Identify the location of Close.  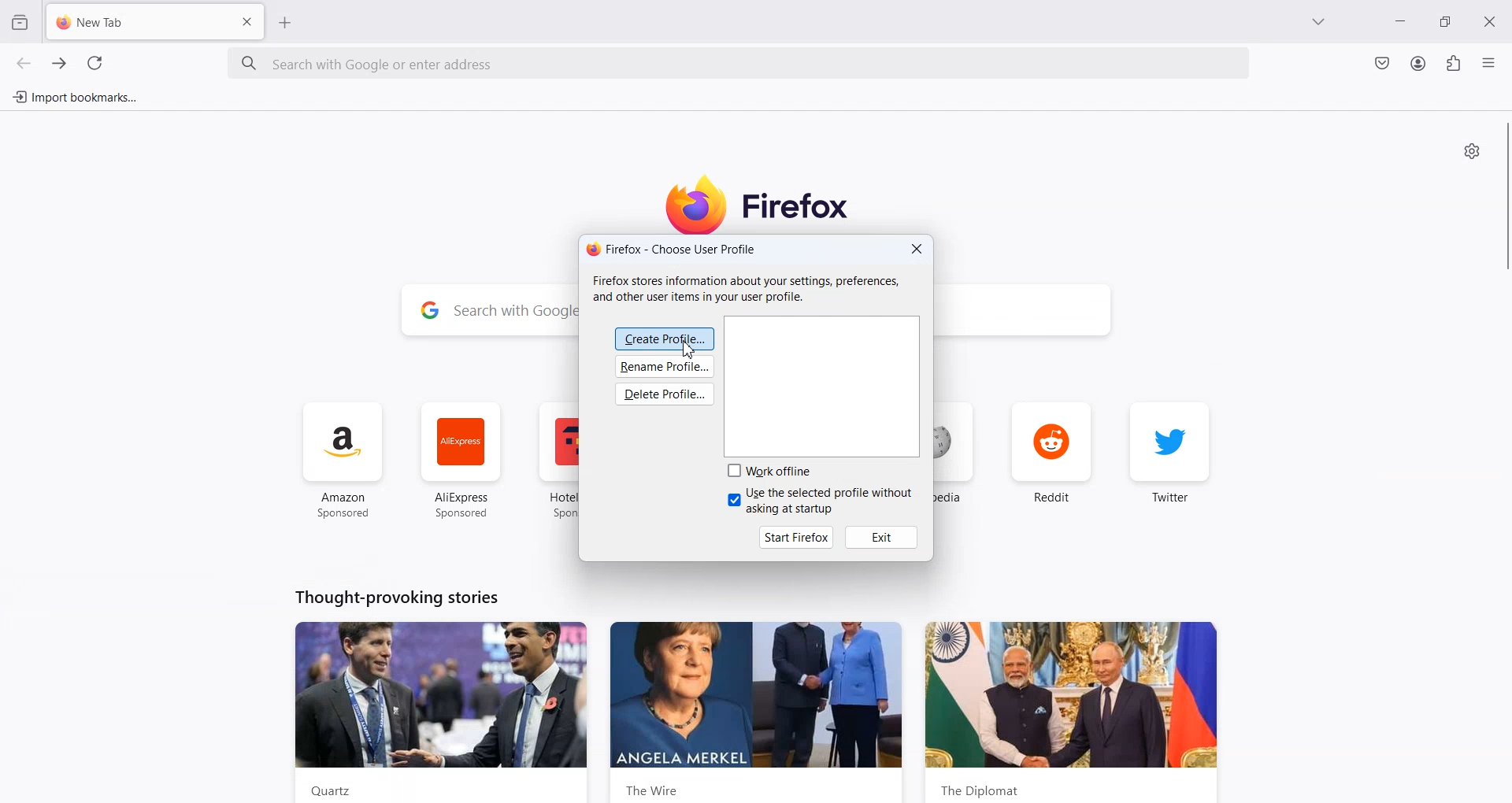
(1494, 20).